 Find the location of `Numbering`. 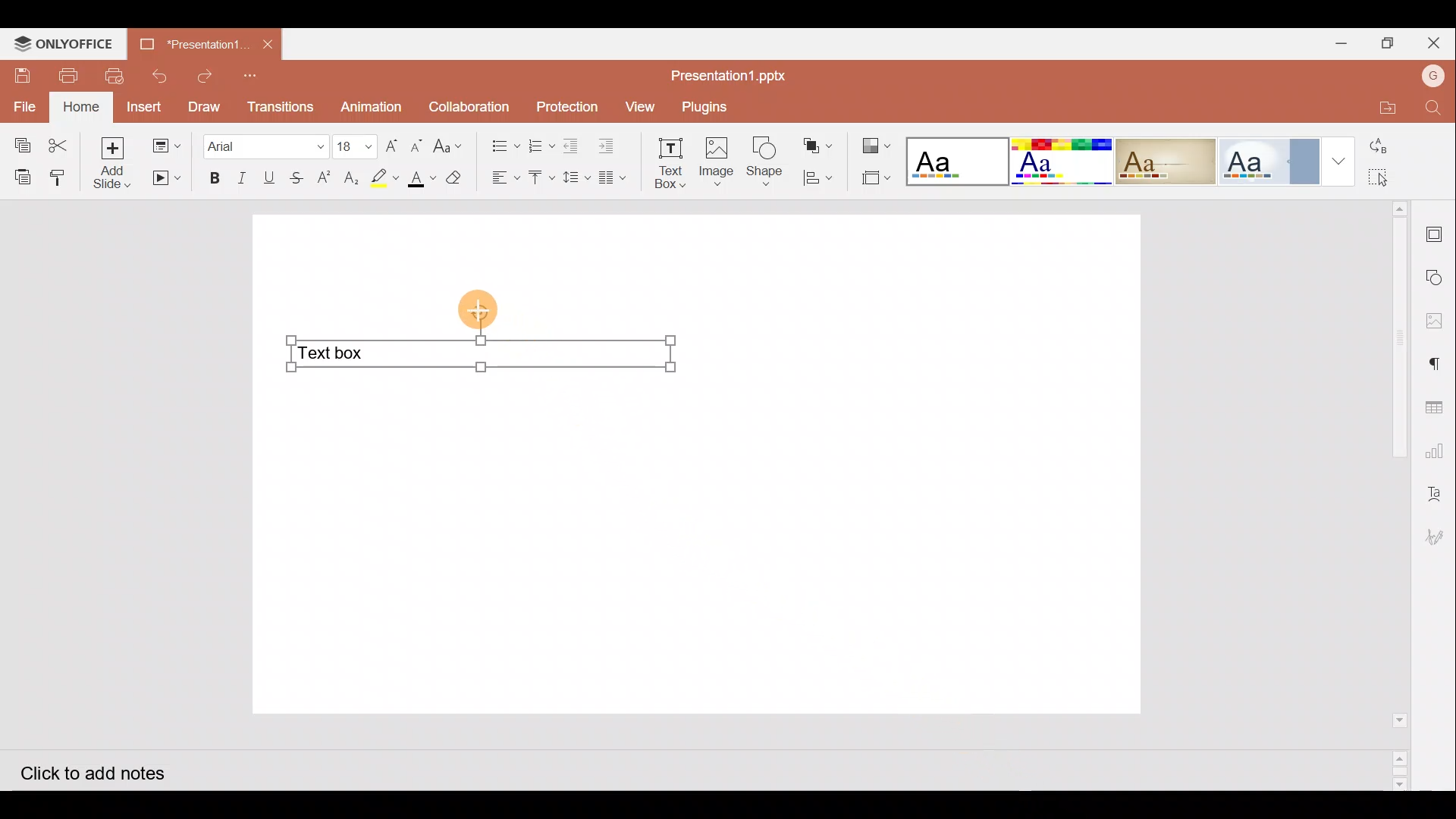

Numbering is located at coordinates (541, 142).